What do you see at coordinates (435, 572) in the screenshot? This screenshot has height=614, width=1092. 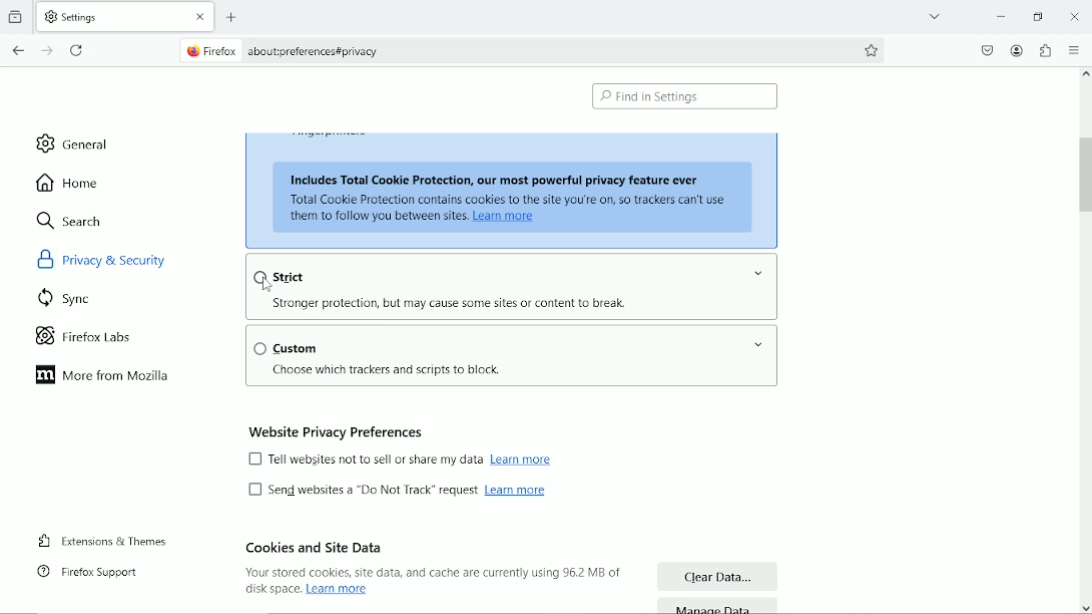 I see `text` at bounding box center [435, 572].